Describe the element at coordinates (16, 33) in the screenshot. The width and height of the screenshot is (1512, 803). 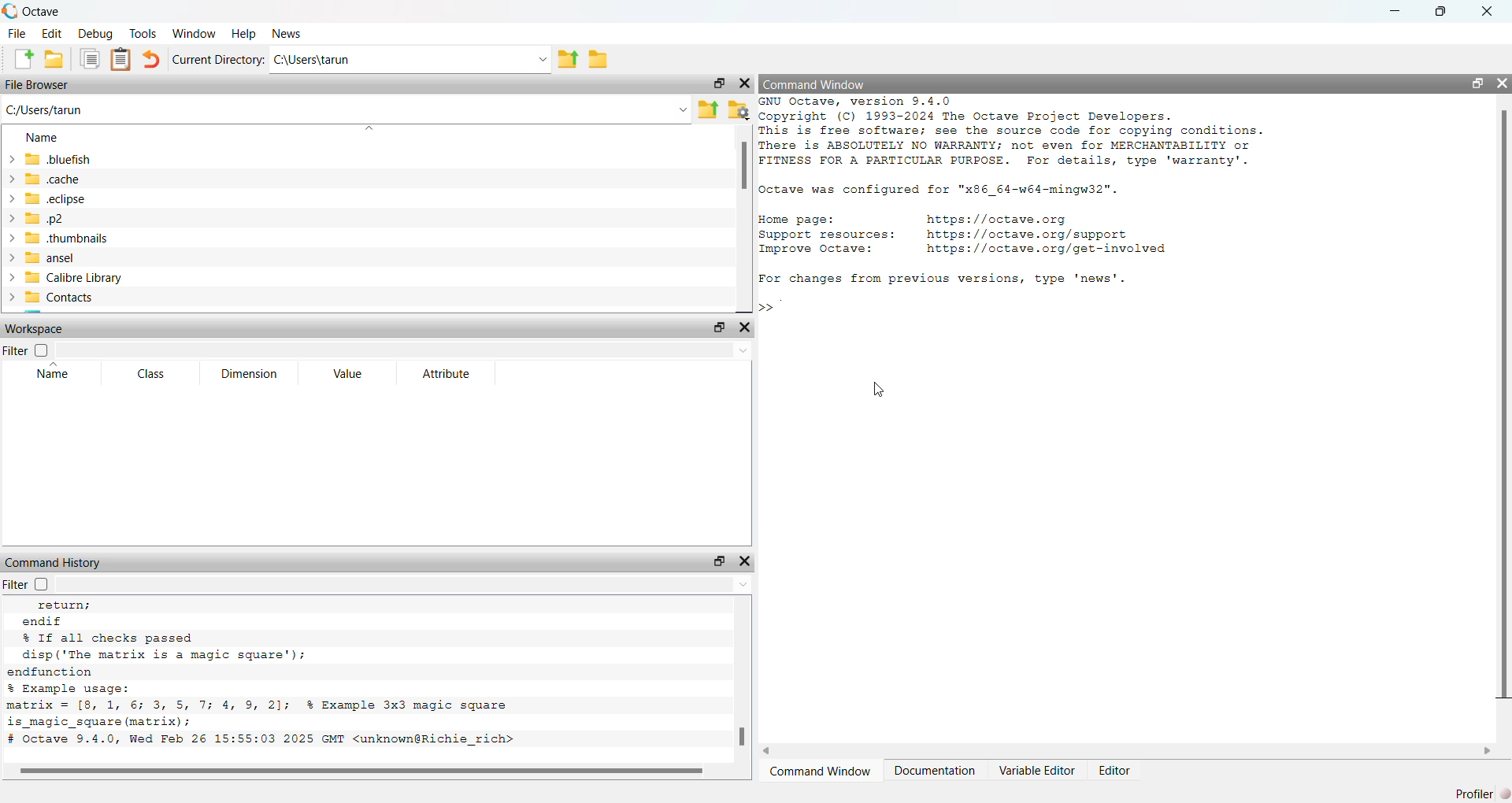
I see `File` at that location.